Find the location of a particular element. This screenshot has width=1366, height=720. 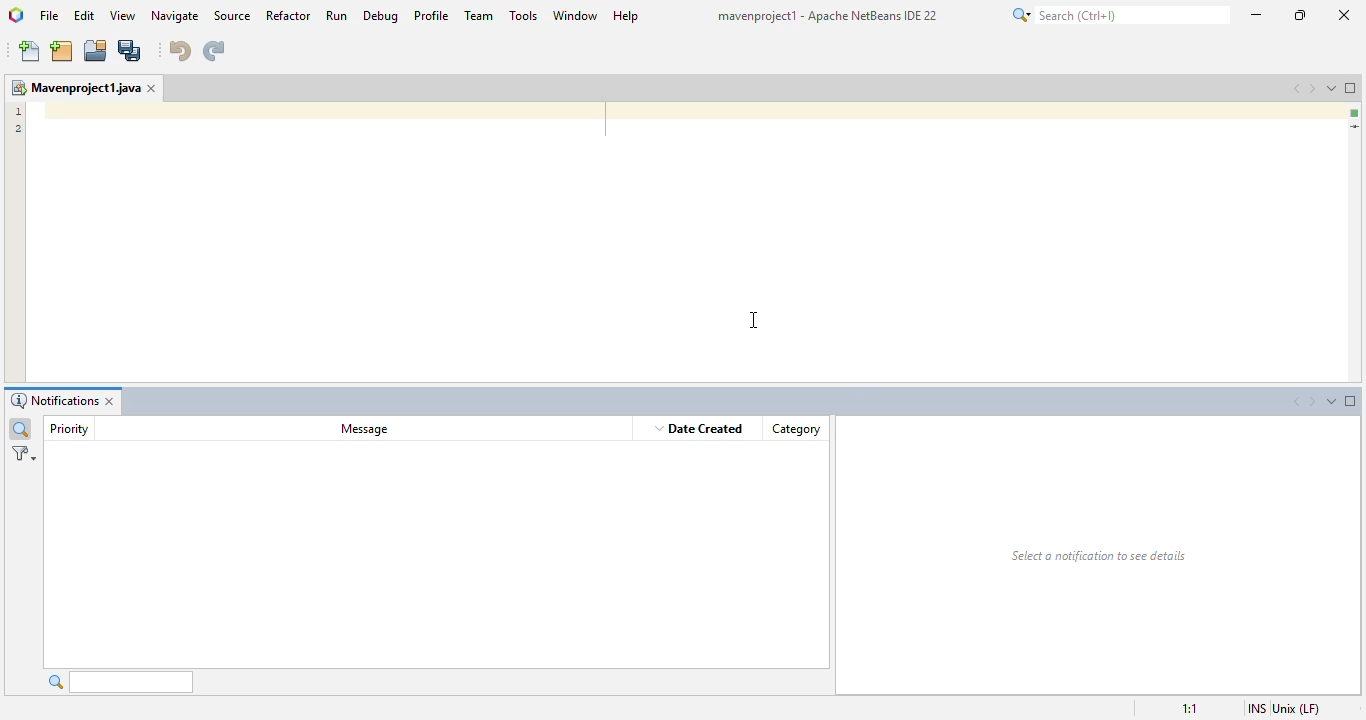

profile is located at coordinates (433, 15).